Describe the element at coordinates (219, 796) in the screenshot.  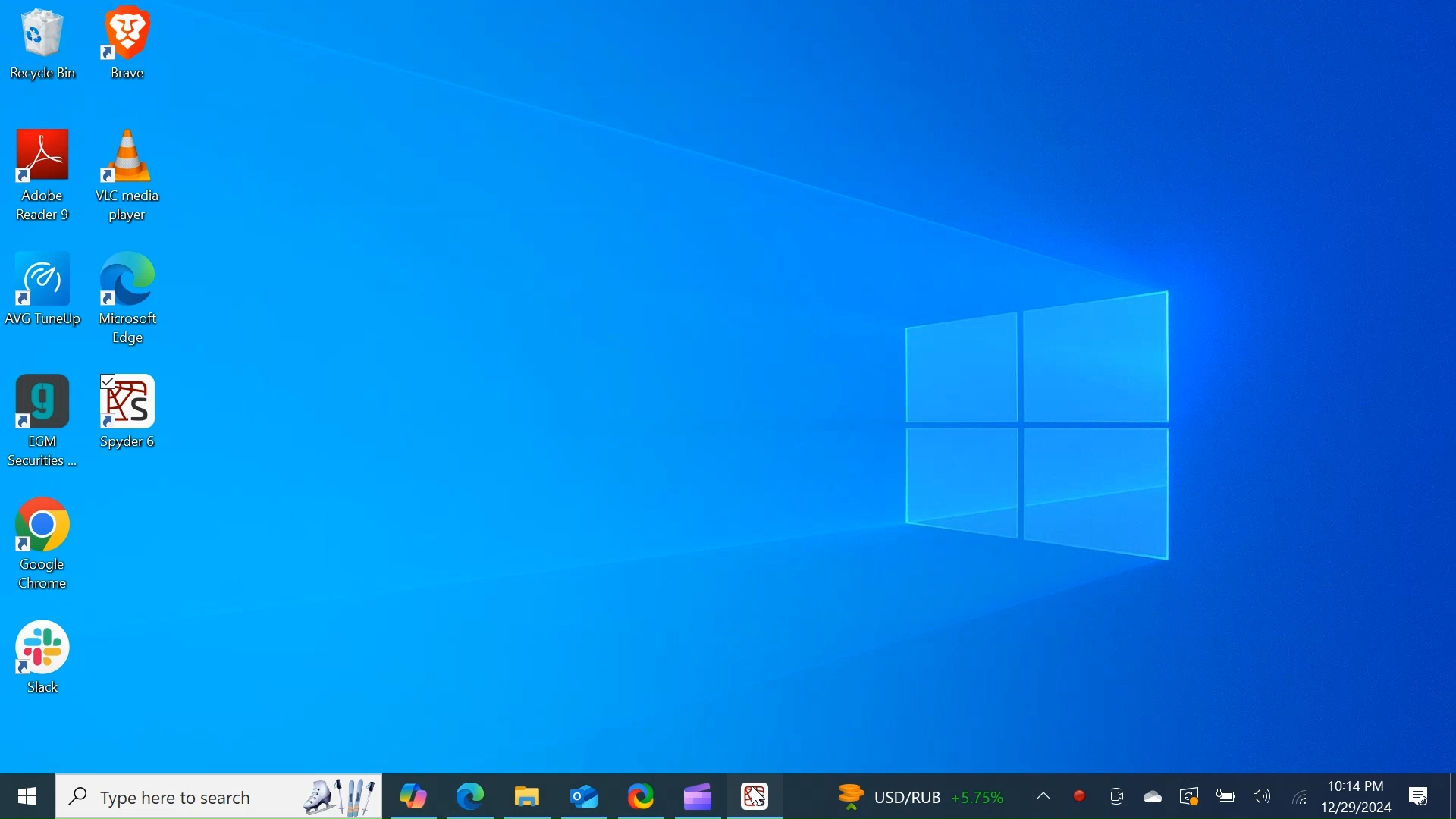
I see `Type here to Search` at that location.